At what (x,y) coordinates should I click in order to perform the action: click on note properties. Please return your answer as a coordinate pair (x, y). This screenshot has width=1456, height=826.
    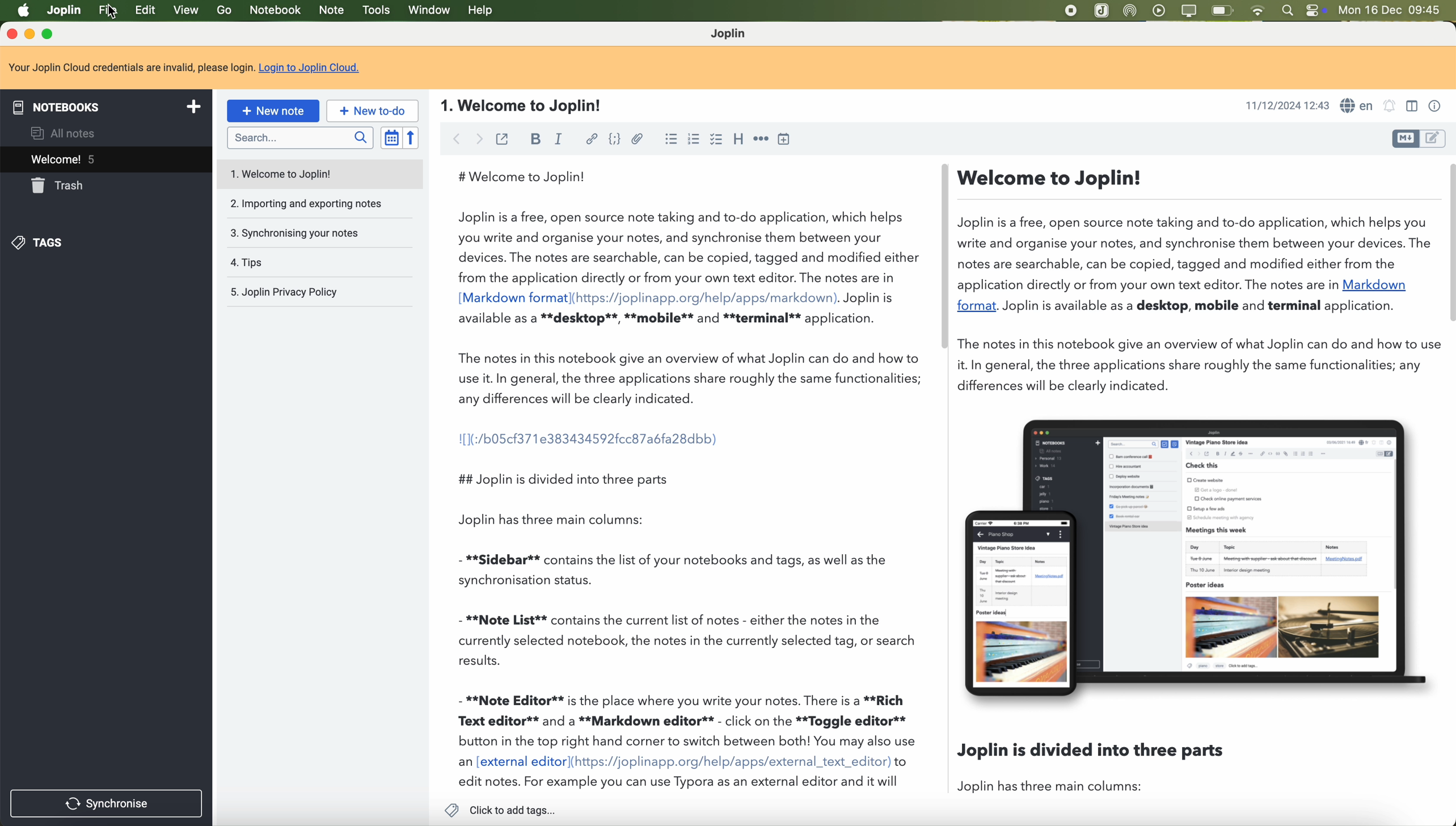
    Looking at the image, I should click on (1438, 107).